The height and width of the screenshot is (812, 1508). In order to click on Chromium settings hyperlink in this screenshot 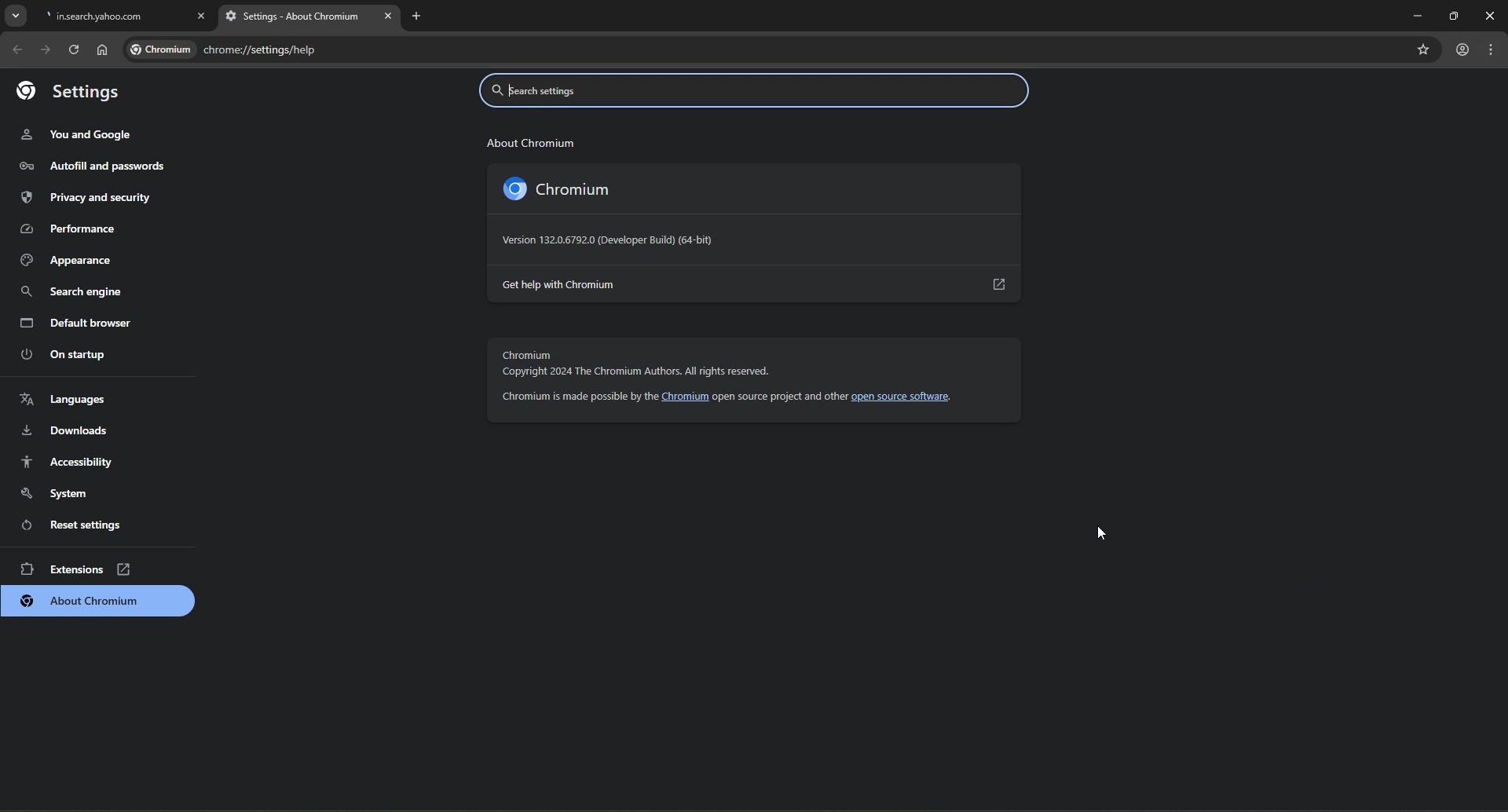, I will do `click(223, 49)`.